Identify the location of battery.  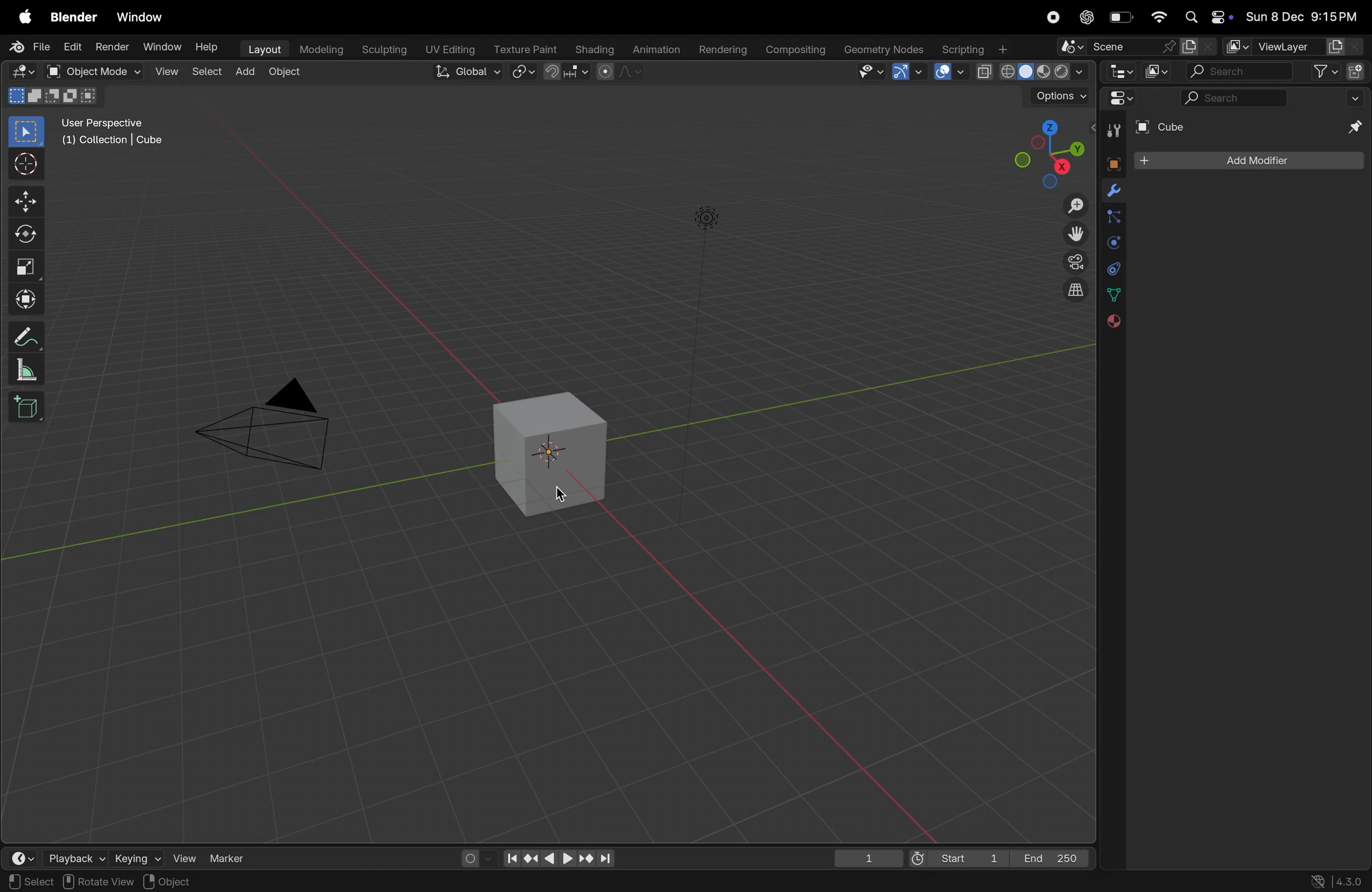
(1122, 20).